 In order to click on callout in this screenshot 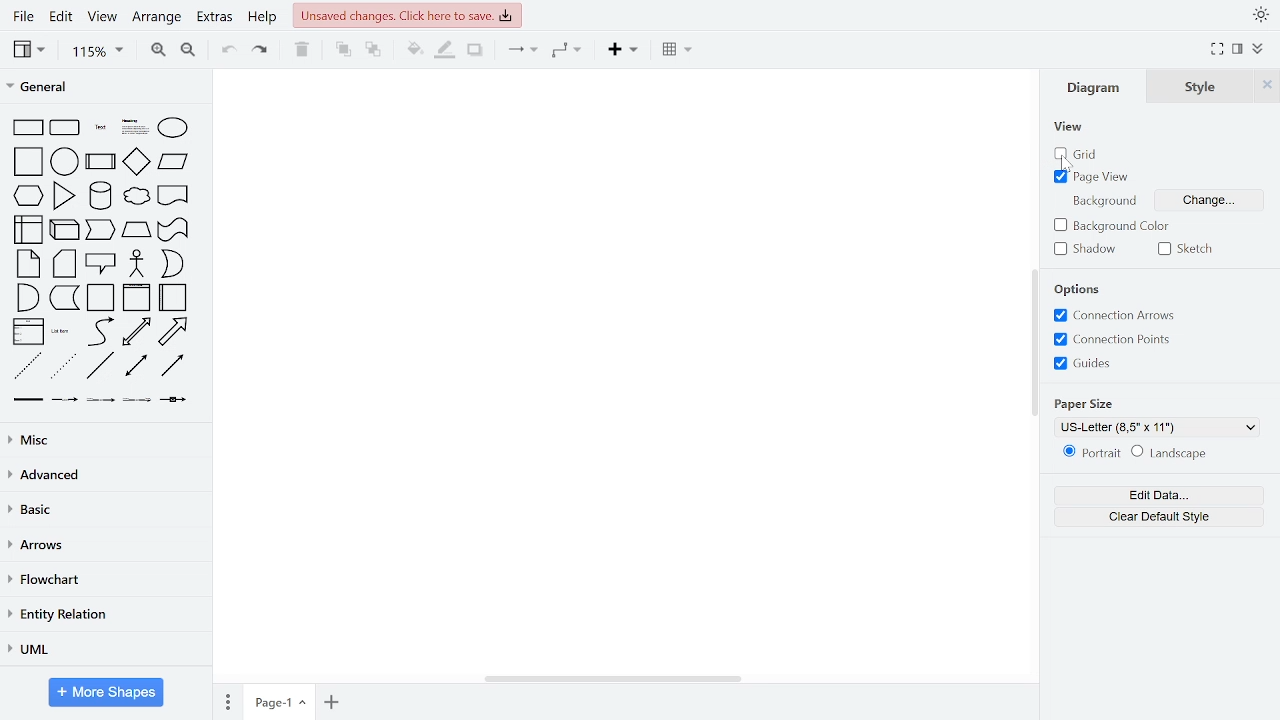, I will do `click(99, 263)`.